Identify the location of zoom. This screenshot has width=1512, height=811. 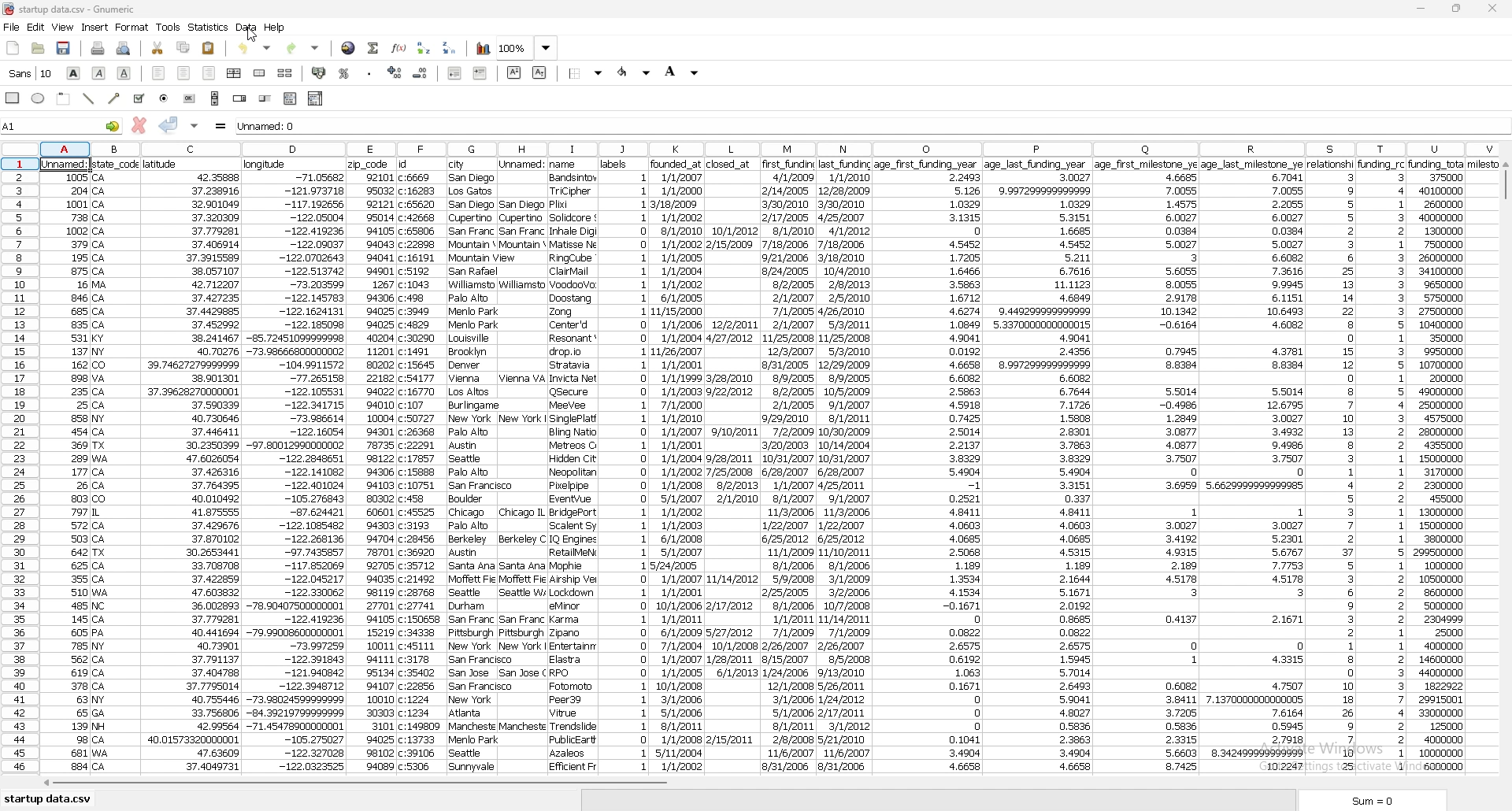
(528, 49).